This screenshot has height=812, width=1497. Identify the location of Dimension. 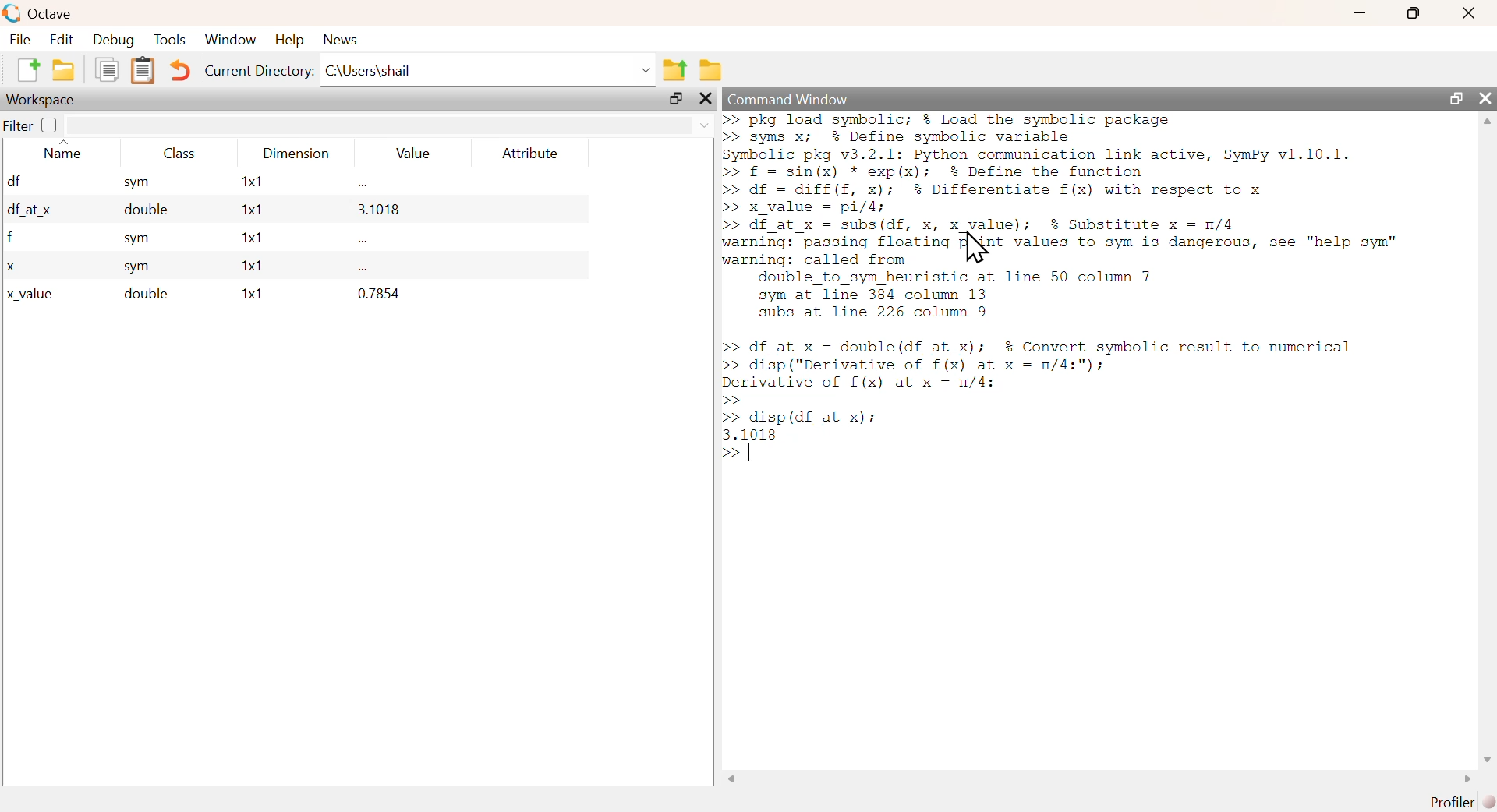
(299, 154).